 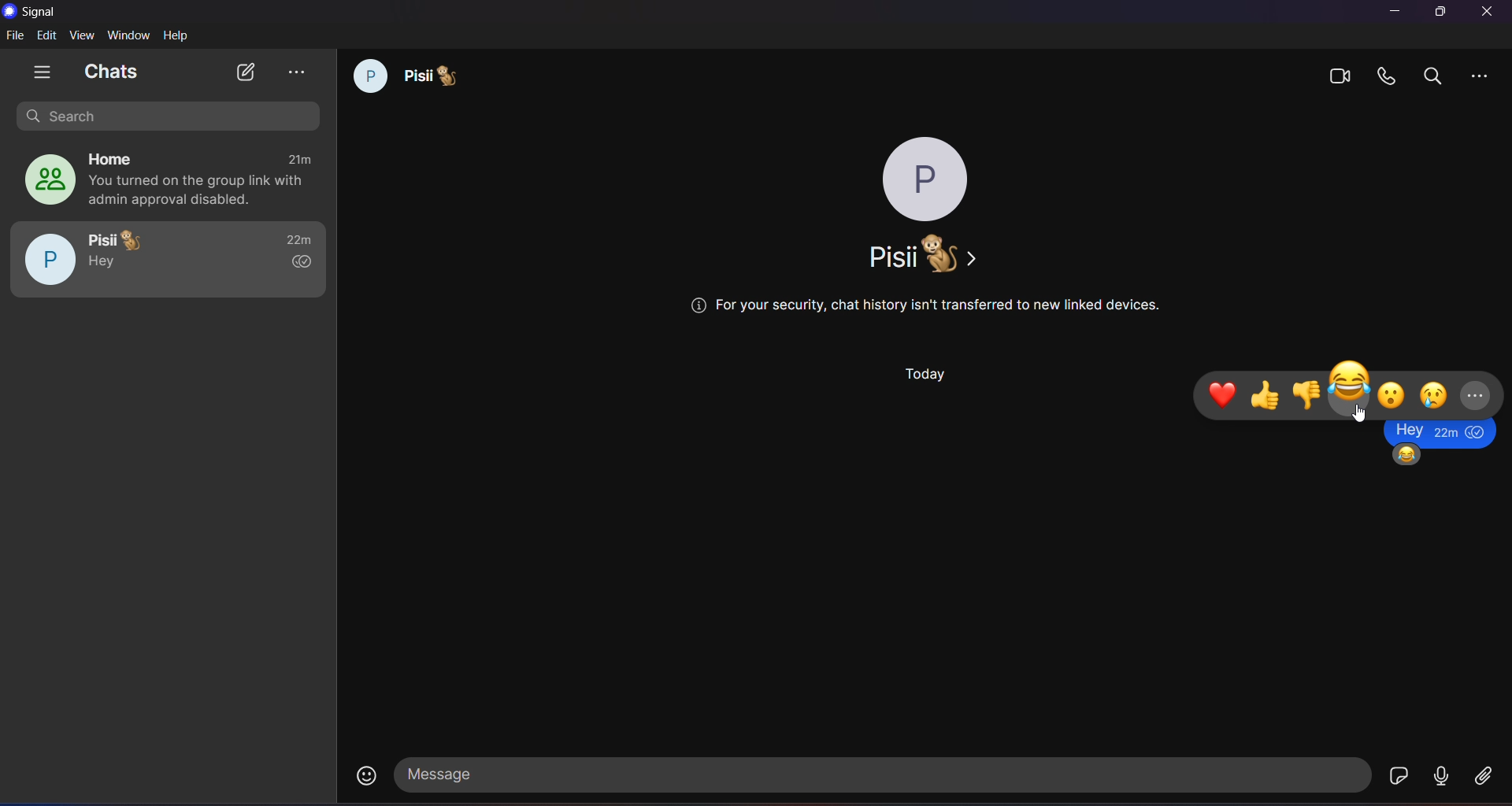 I want to click on emoji, so click(x=1407, y=455).